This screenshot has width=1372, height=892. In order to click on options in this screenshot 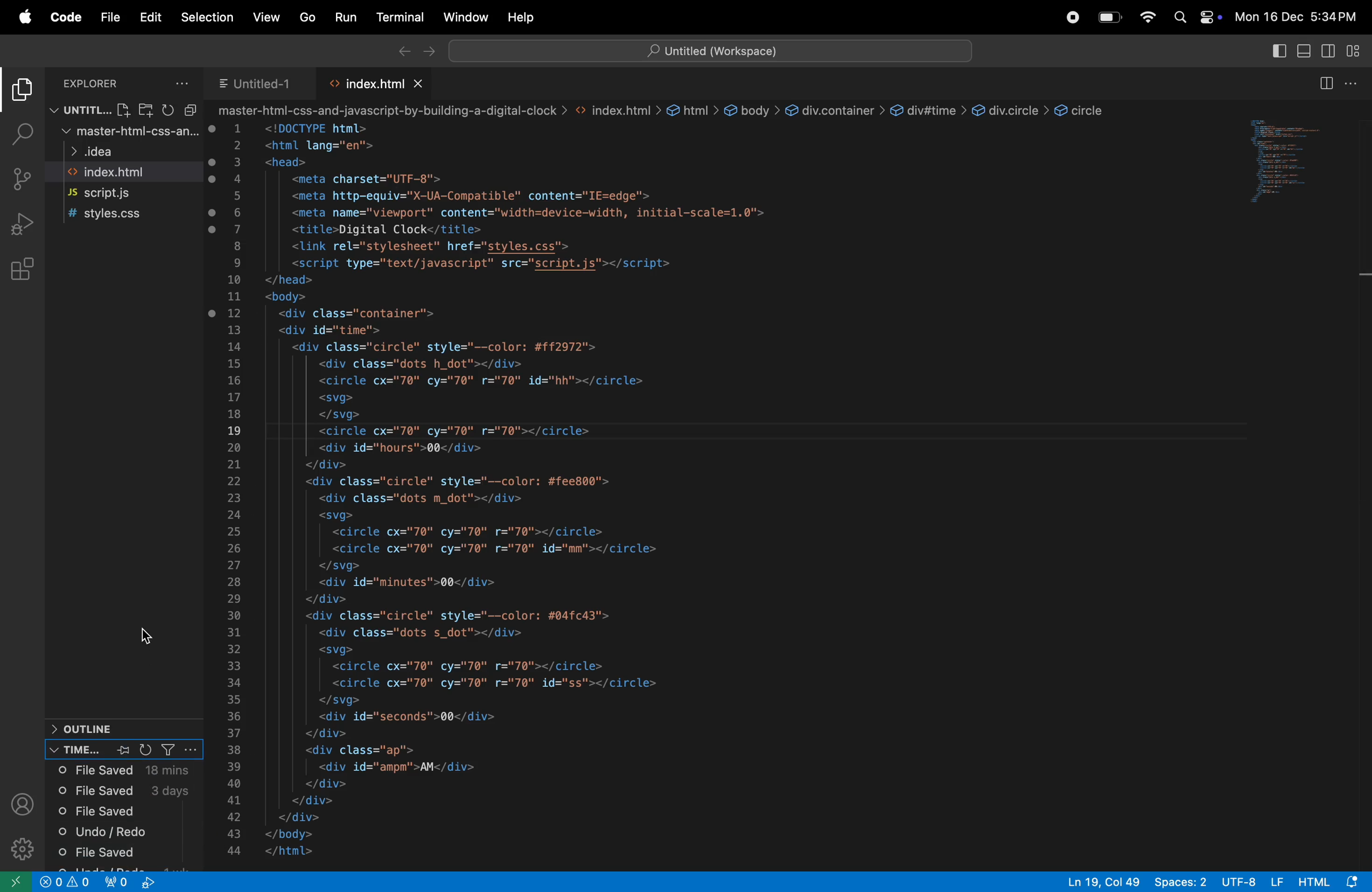, I will do `click(1354, 86)`.